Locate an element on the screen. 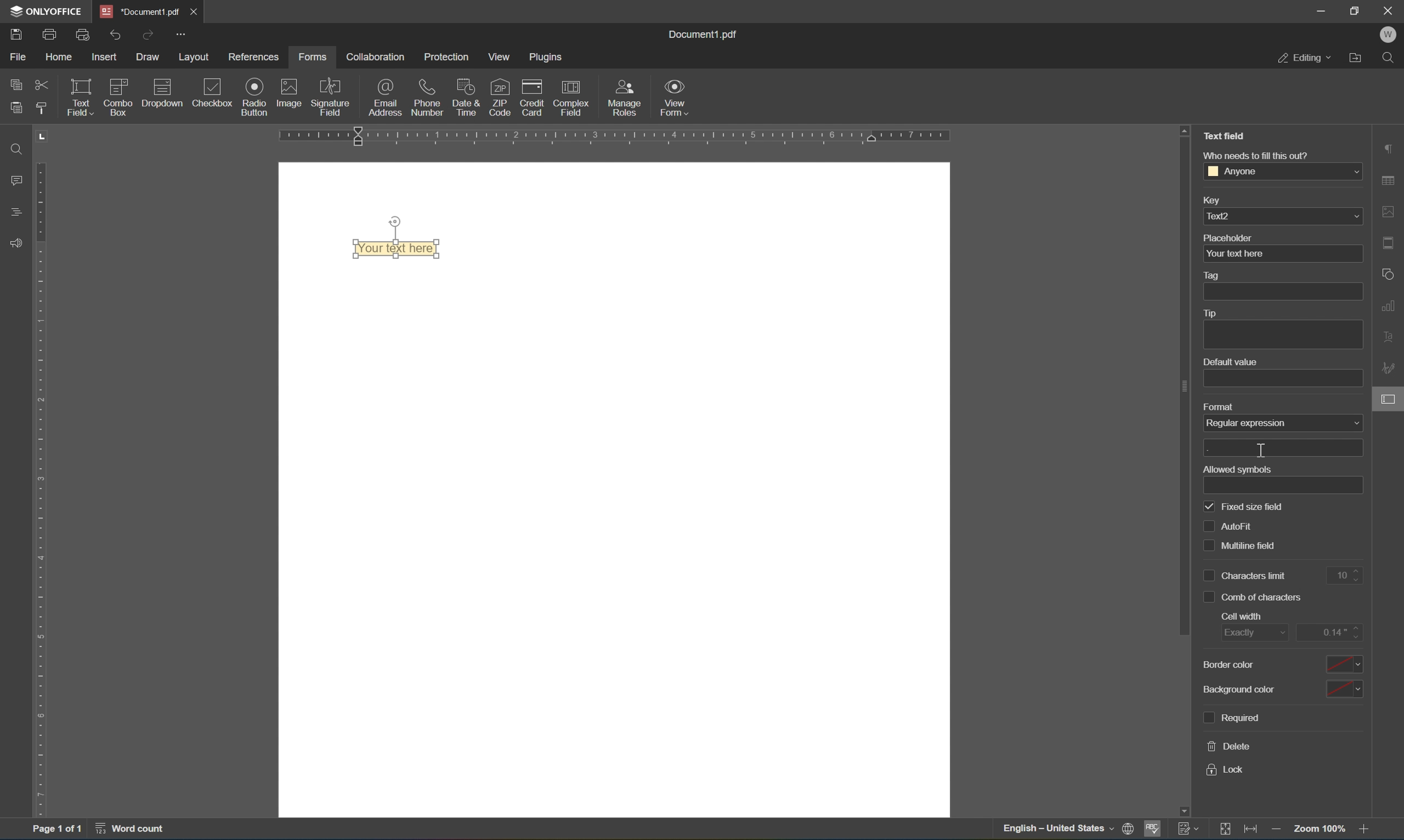 The height and width of the screenshot is (840, 1404). border color is located at coordinates (1228, 663).